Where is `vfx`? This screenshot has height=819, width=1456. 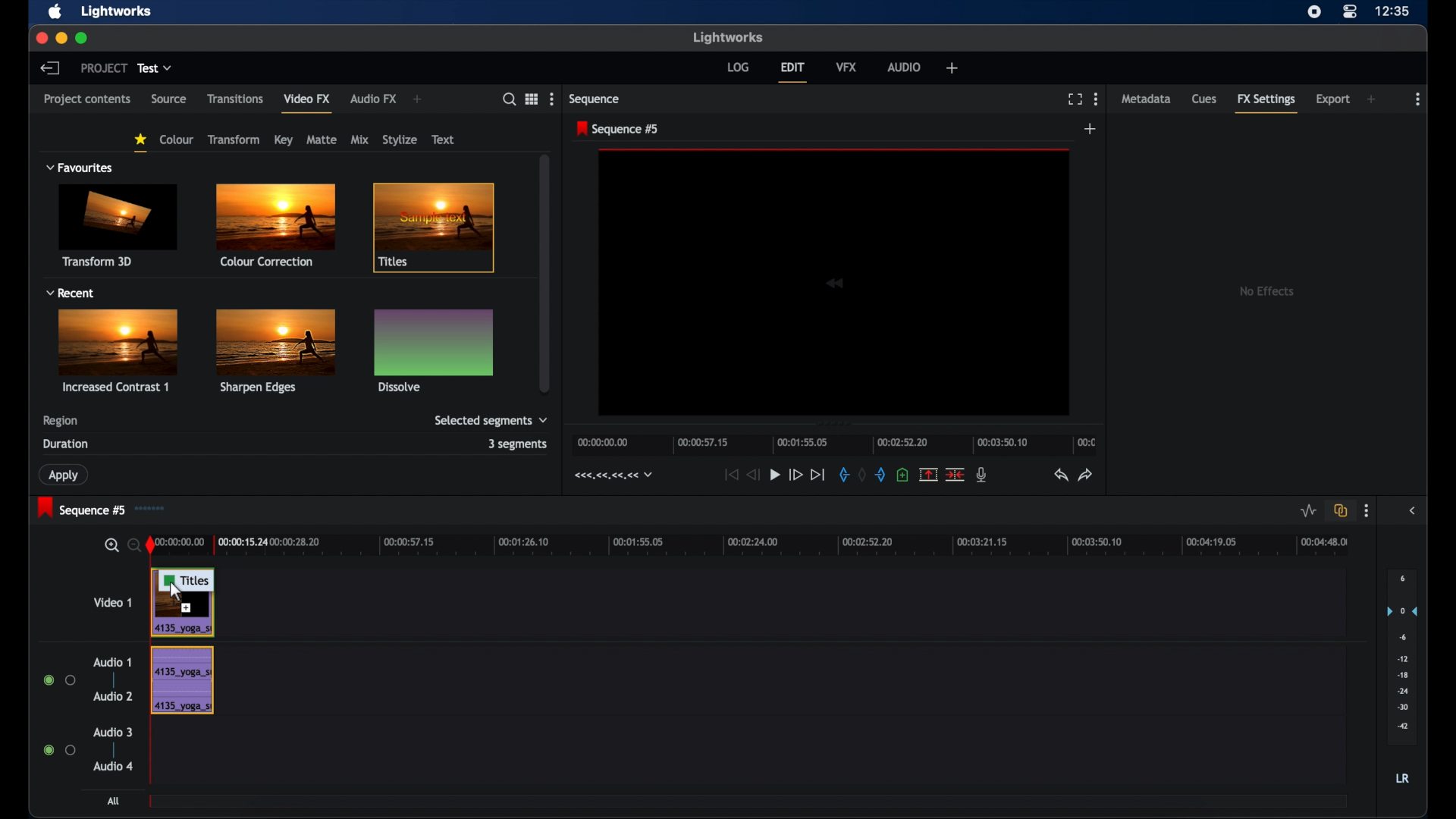 vfx is located at coordinates (847, 67).